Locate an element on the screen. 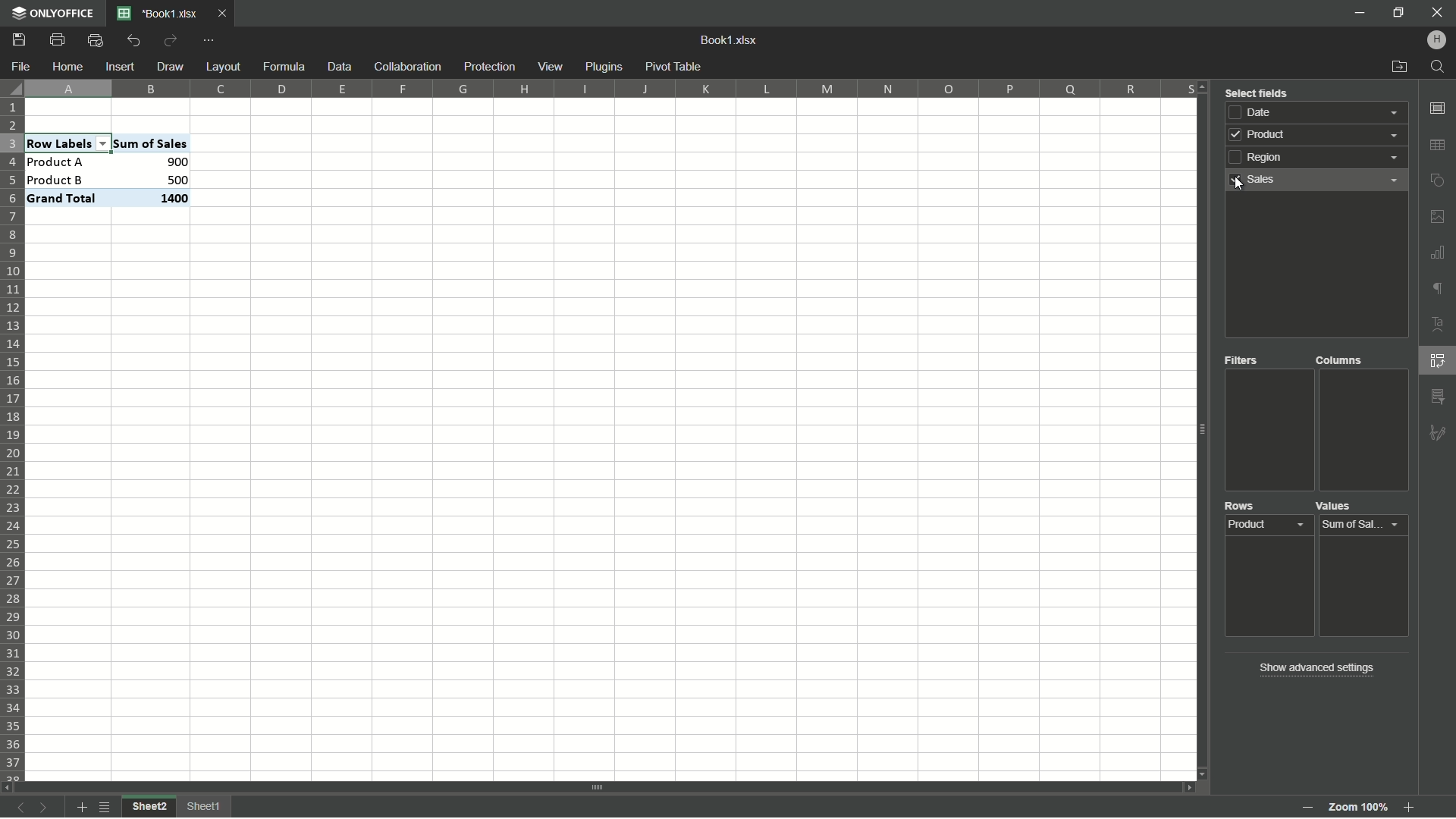  File is located at coordinates (21, 67).